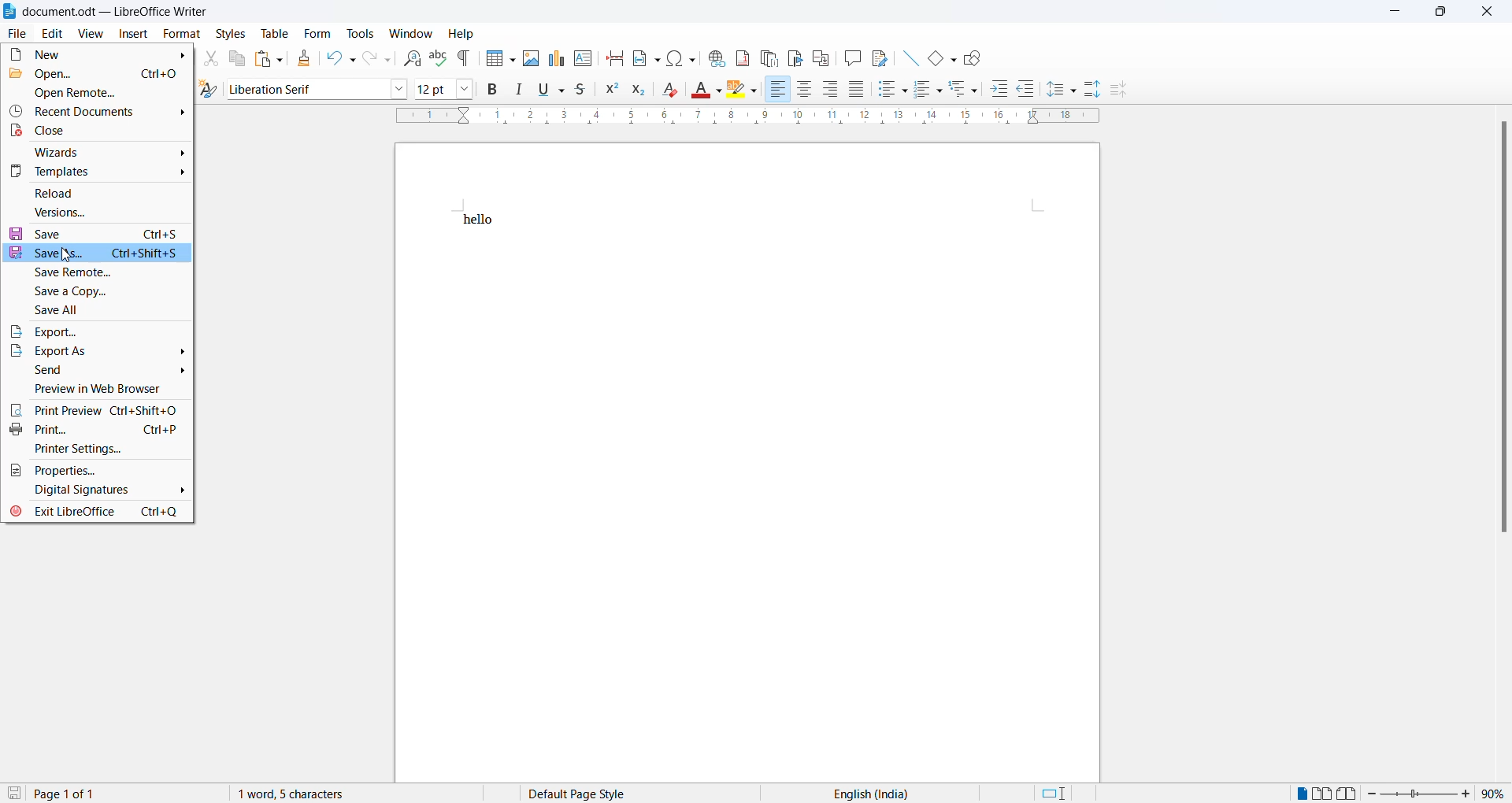  I want to click on Superscript, so click(609, 91).